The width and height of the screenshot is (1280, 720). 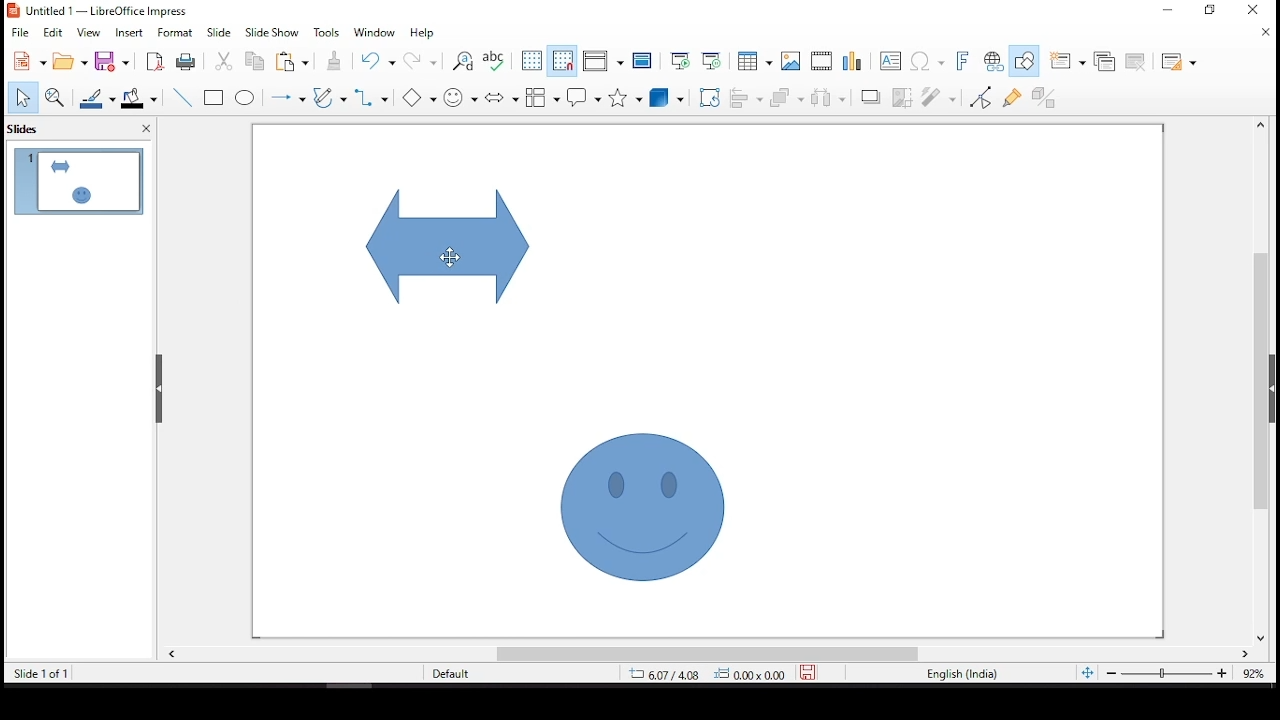 I want to click on redo, so click(x=419, y=62).